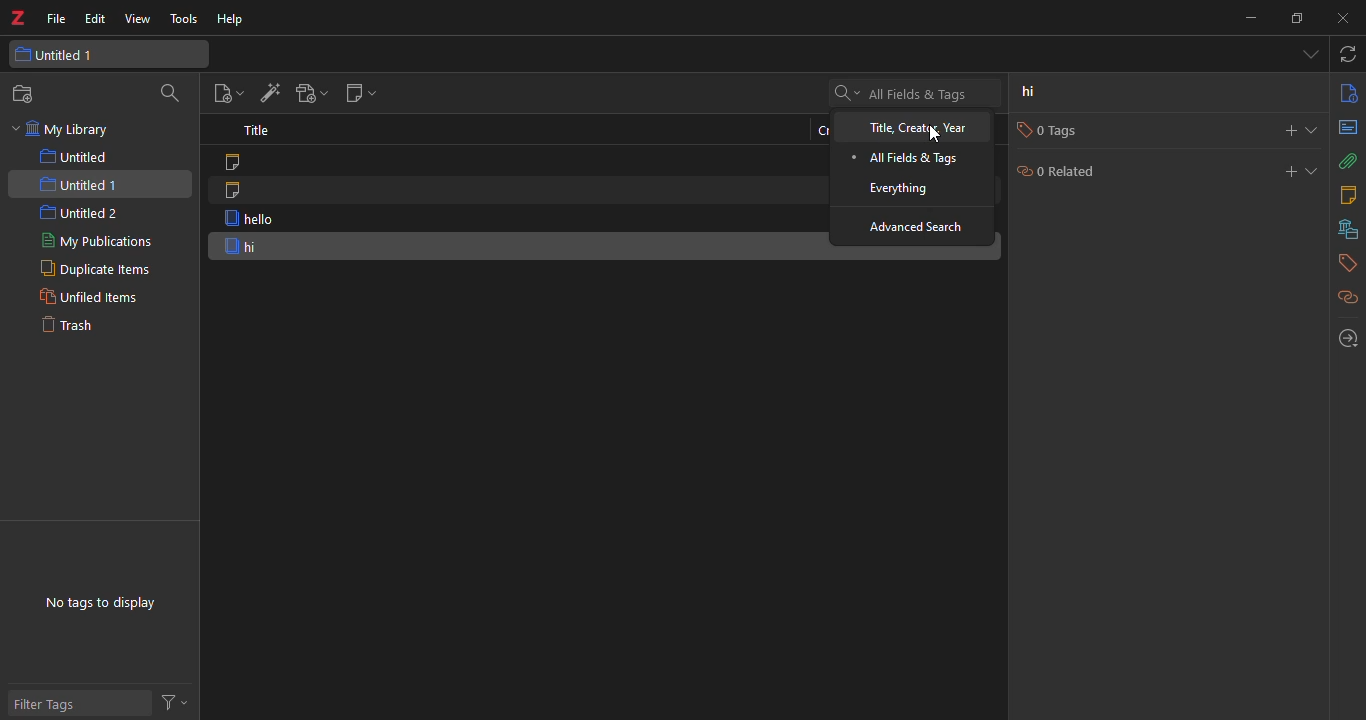 The height and width of the screenshot is (720, 1366). I want to click on add, so click(1285, 171).